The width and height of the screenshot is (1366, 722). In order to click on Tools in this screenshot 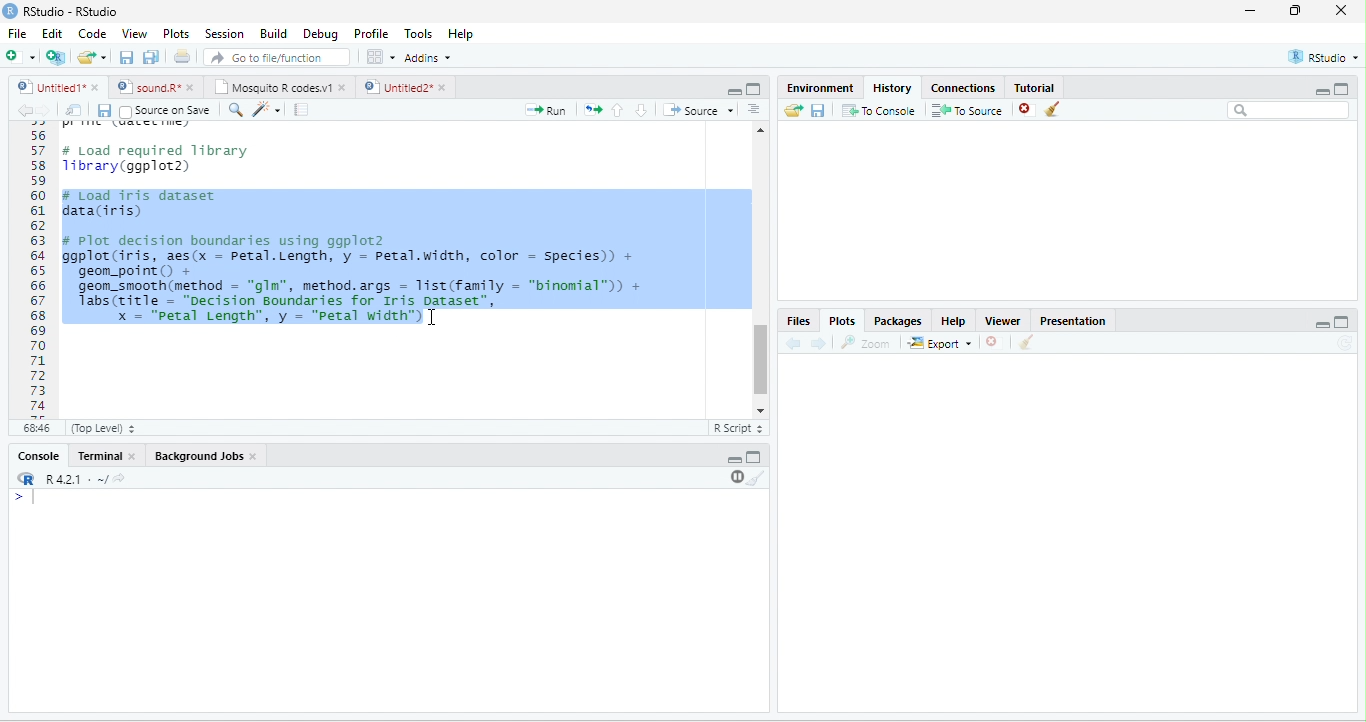, I will do `click(420, 34)`.